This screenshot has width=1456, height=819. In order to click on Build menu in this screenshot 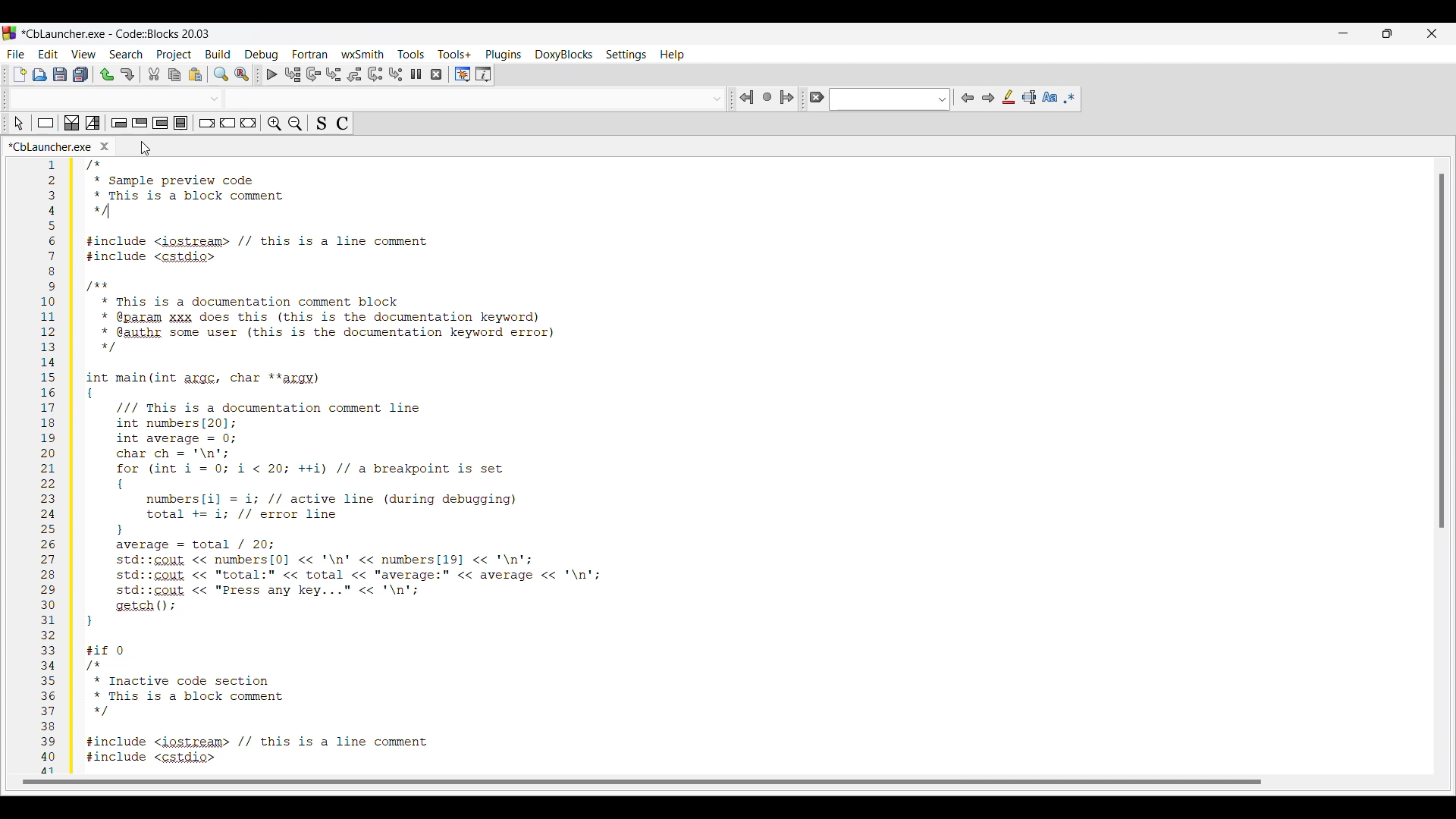, I will do `click(218, 54)`.